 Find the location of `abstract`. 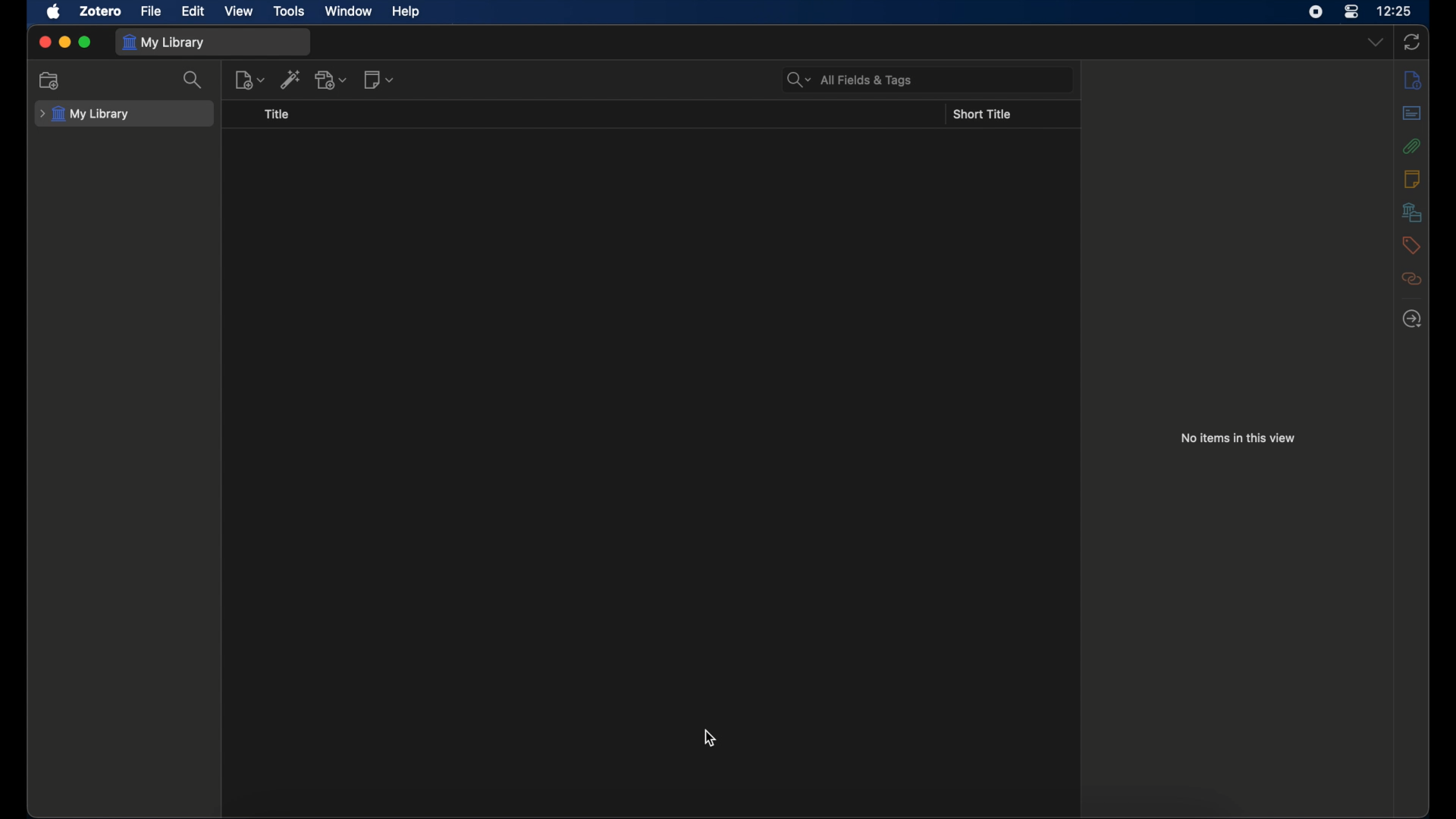

abstract is located at coordinates (1412, 112).